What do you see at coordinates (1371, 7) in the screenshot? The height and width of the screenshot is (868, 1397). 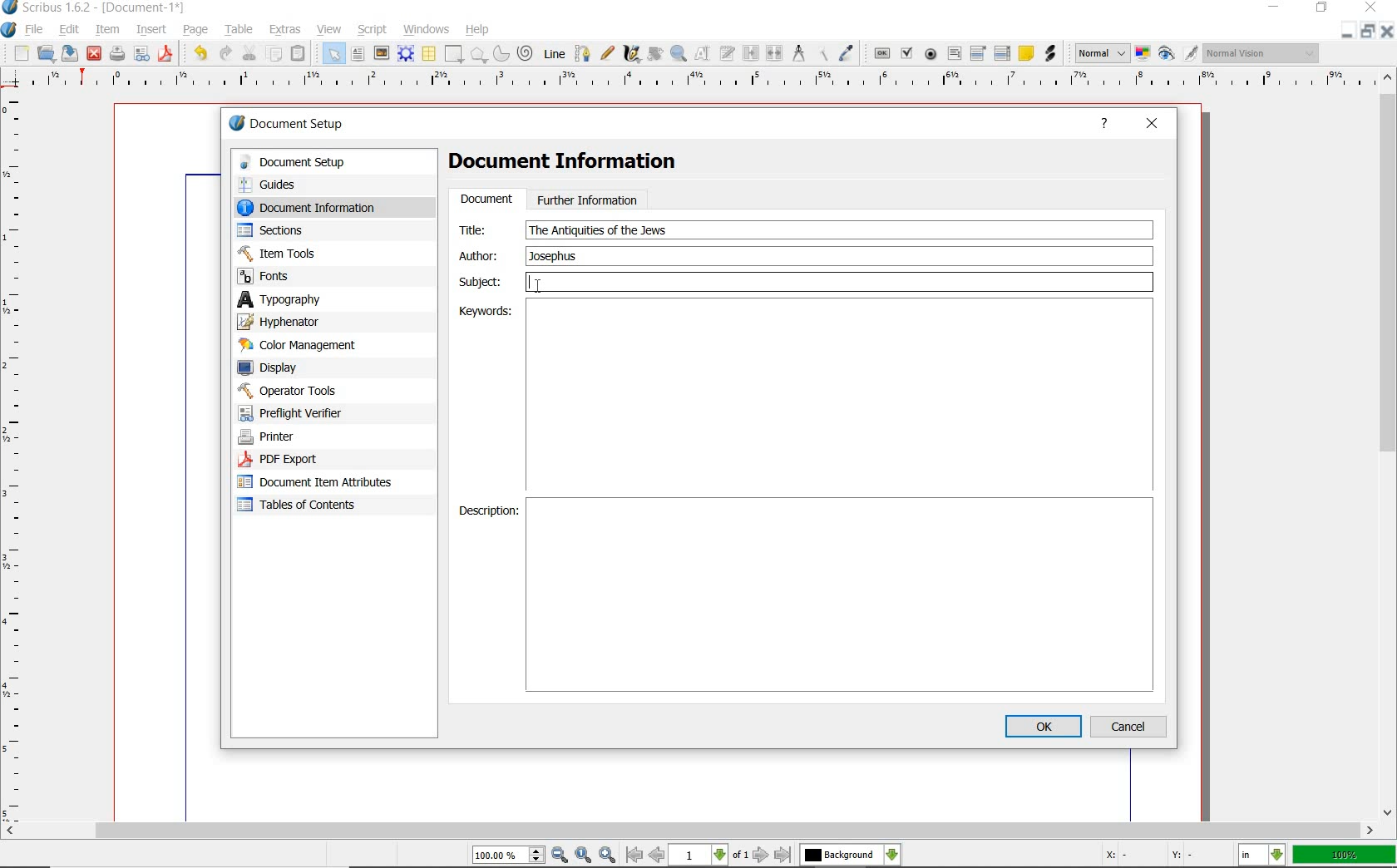 I see `close` at bounding box center [1371, 7].